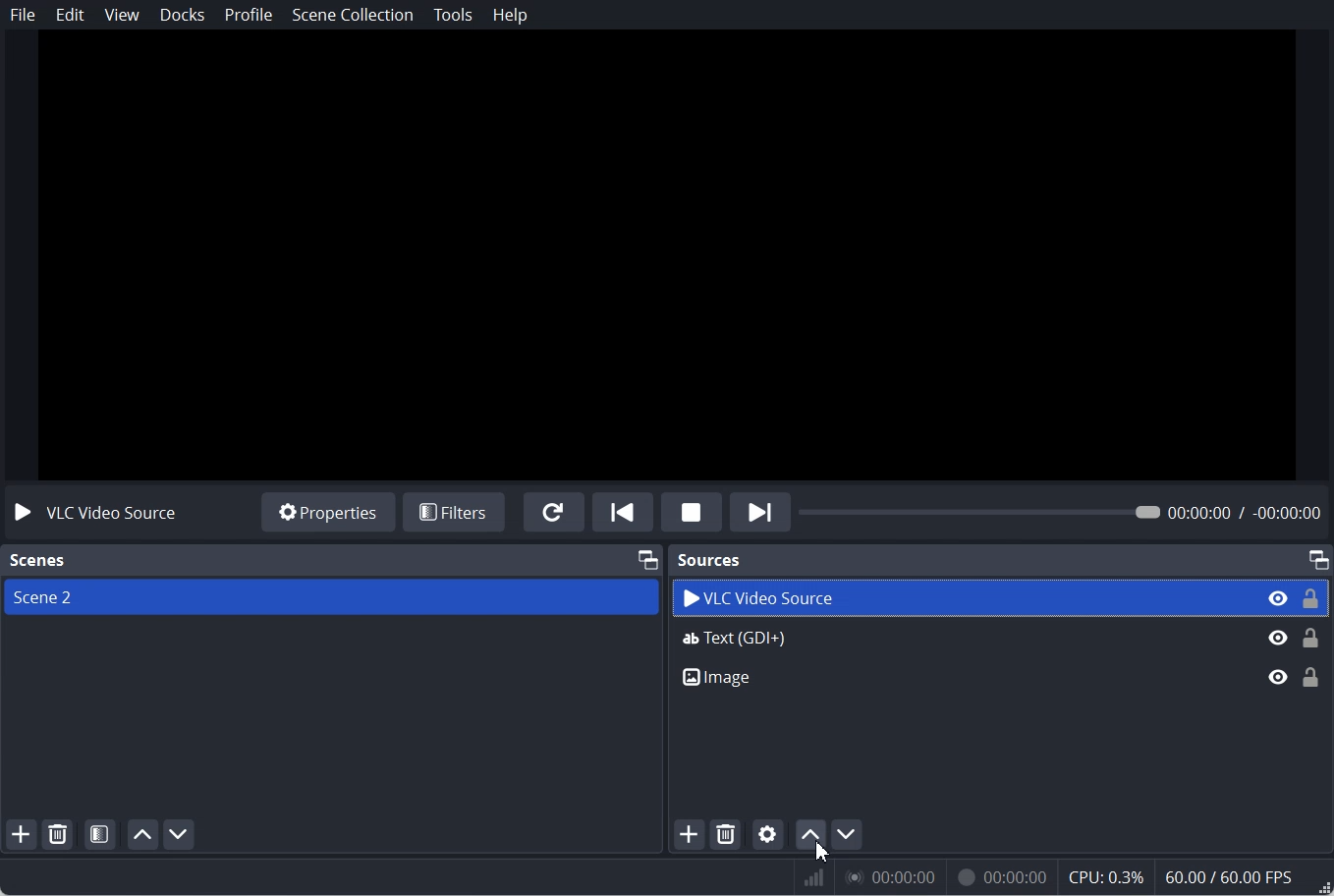 This screenshot has height=896, width=1334. I want to click on Text, so click(35, 561).